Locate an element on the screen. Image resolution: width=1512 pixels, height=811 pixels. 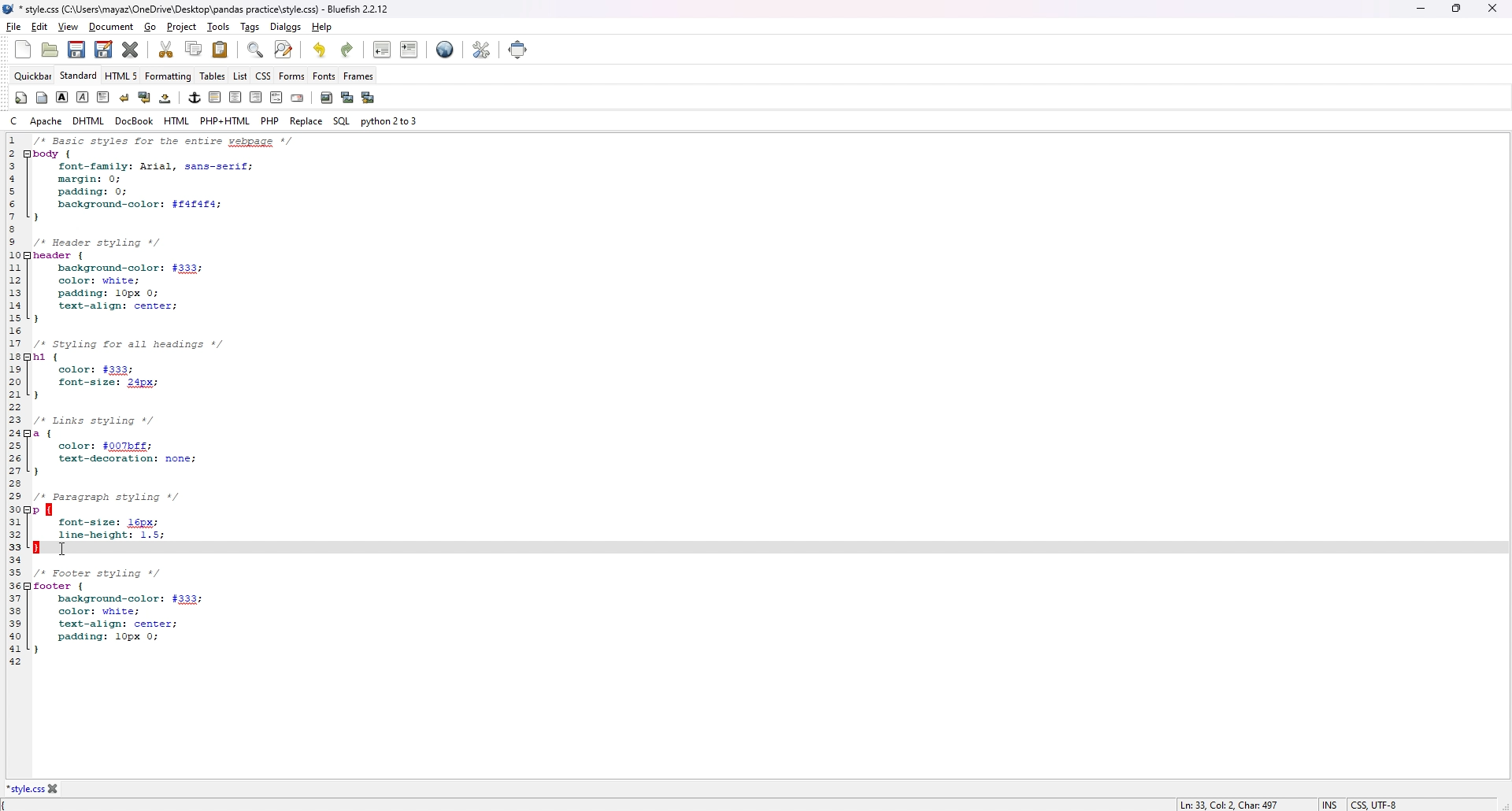
open is located at coordinates (50, 50).